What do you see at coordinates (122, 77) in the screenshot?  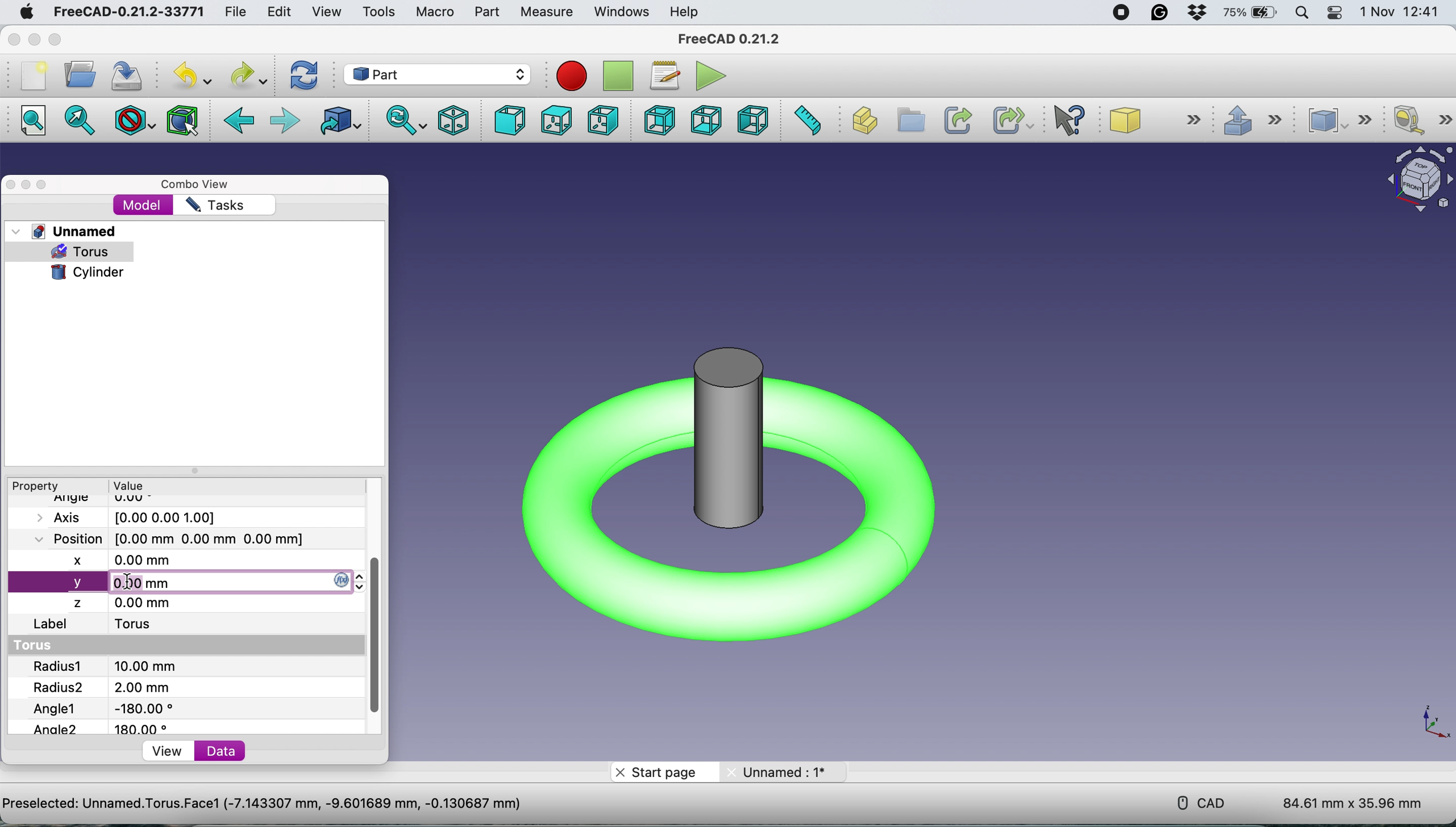 I see `save` at bounding box center [122, 77].